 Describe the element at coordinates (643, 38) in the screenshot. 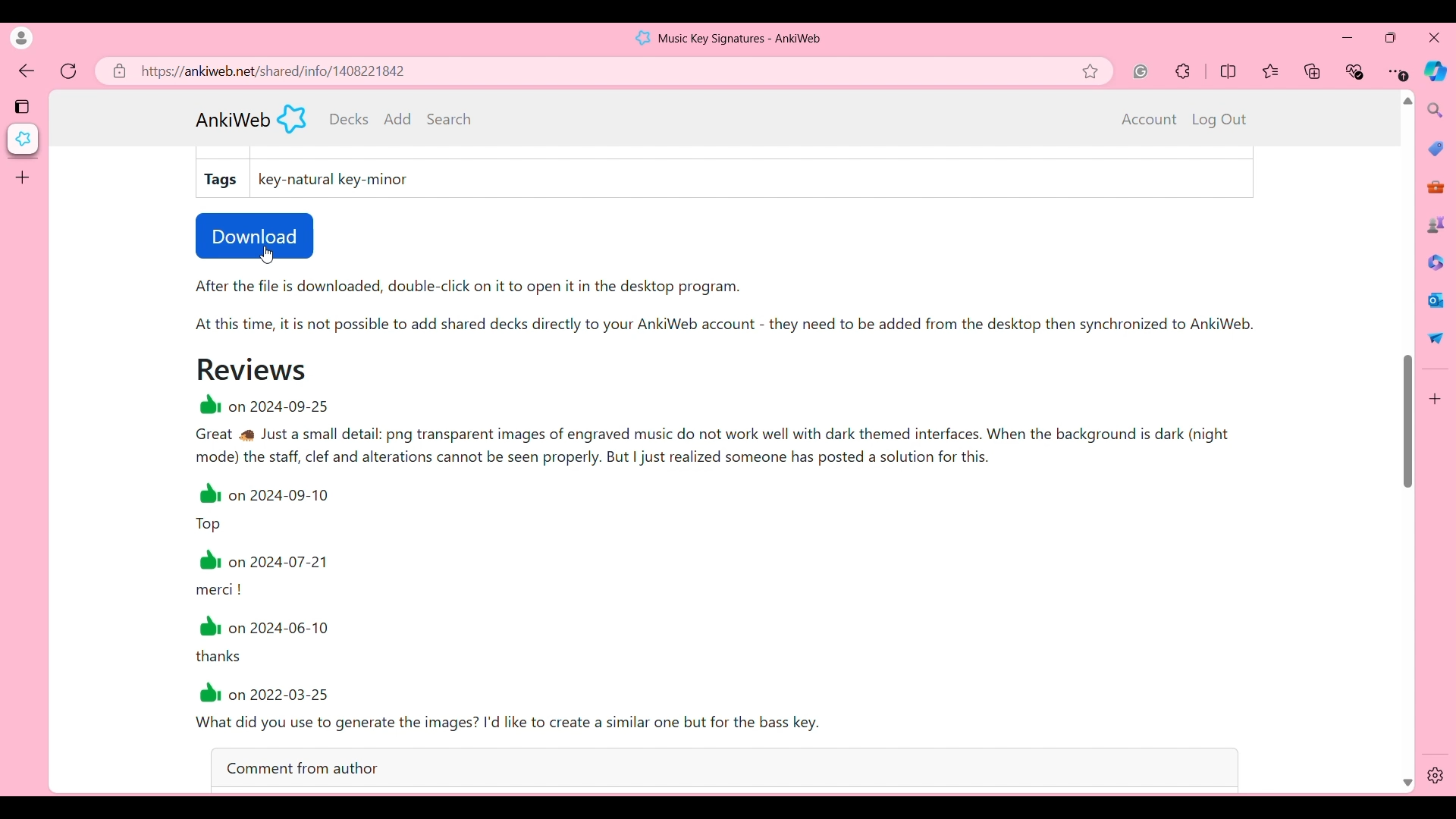

I see `Software logo` at that location.